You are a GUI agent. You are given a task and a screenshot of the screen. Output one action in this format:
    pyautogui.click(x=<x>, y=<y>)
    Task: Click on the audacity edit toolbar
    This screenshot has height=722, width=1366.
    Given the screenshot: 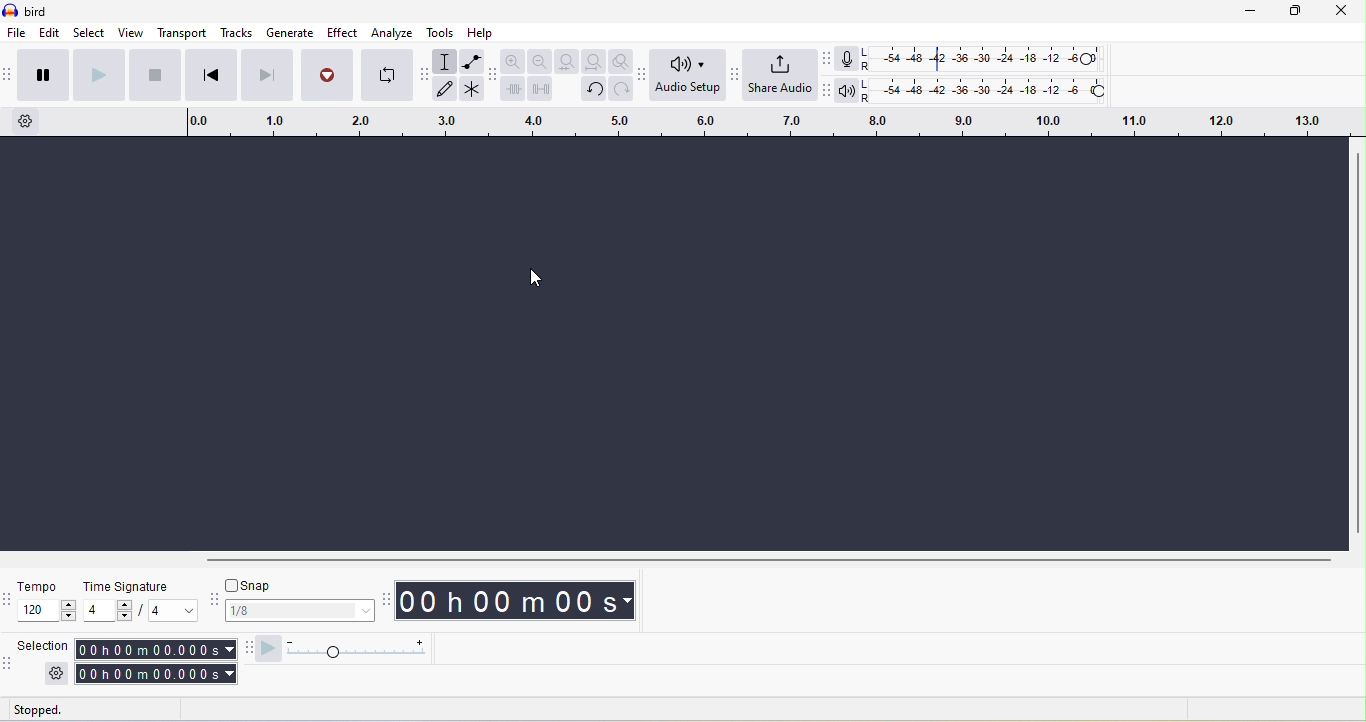 What is the action you would take?
    pyautogui.click(x=494, y=75)
    